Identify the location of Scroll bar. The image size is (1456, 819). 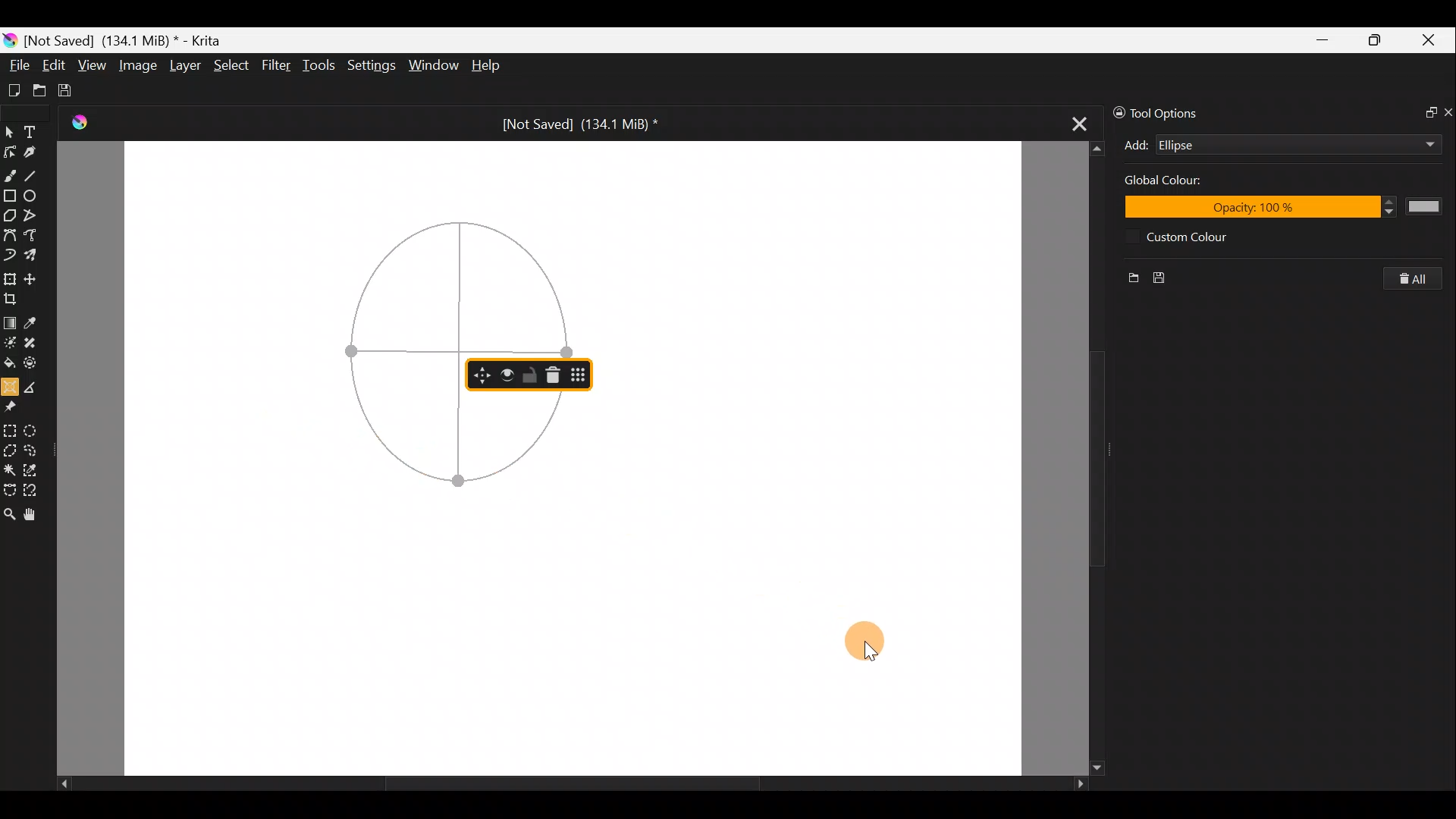
(560, 784).